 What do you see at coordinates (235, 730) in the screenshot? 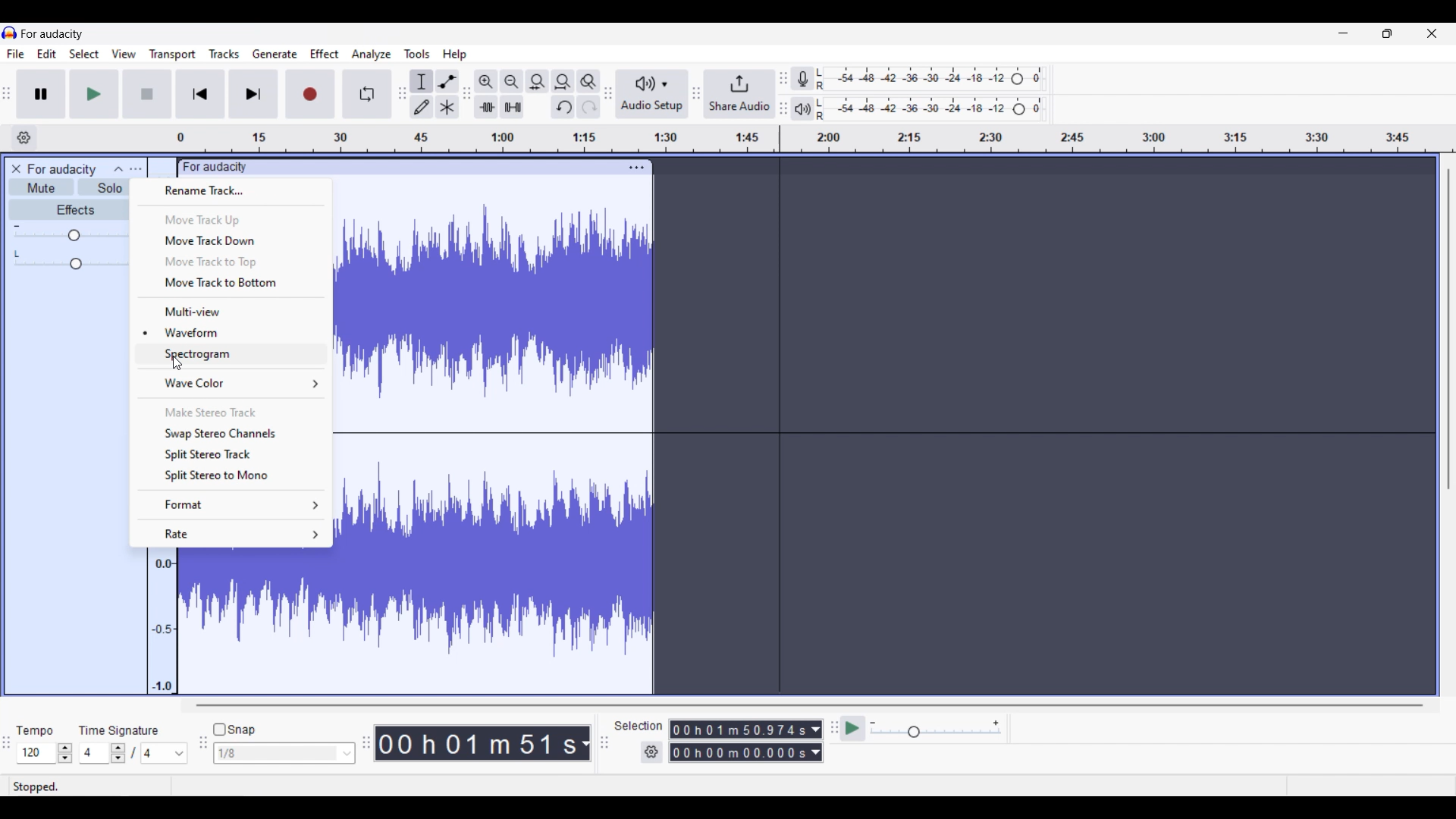
I see `Snap toggle` at bounding box center [235, 730].